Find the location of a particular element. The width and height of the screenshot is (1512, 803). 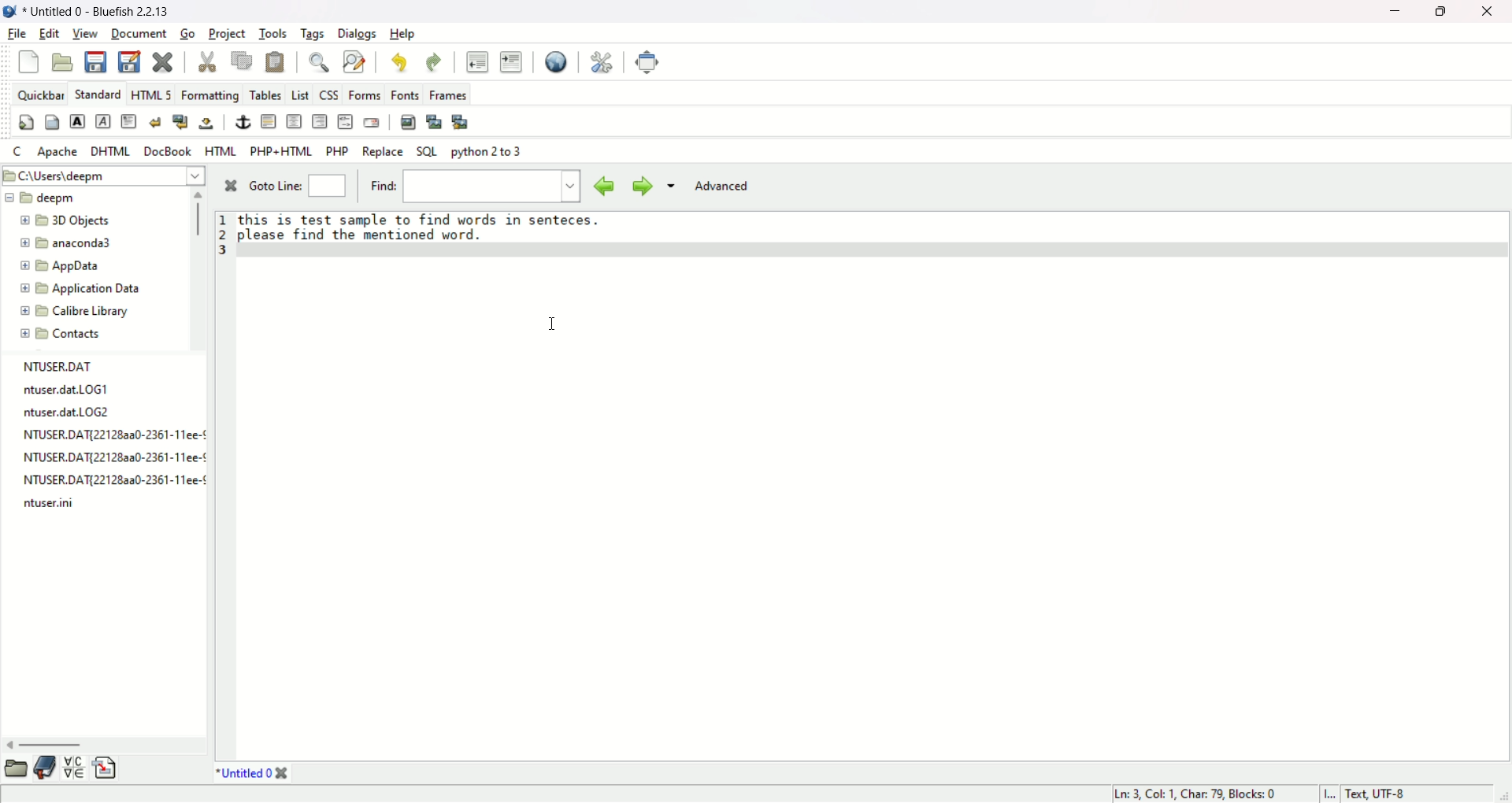

horizontal scroll bar is located at coordinates (53, 746).